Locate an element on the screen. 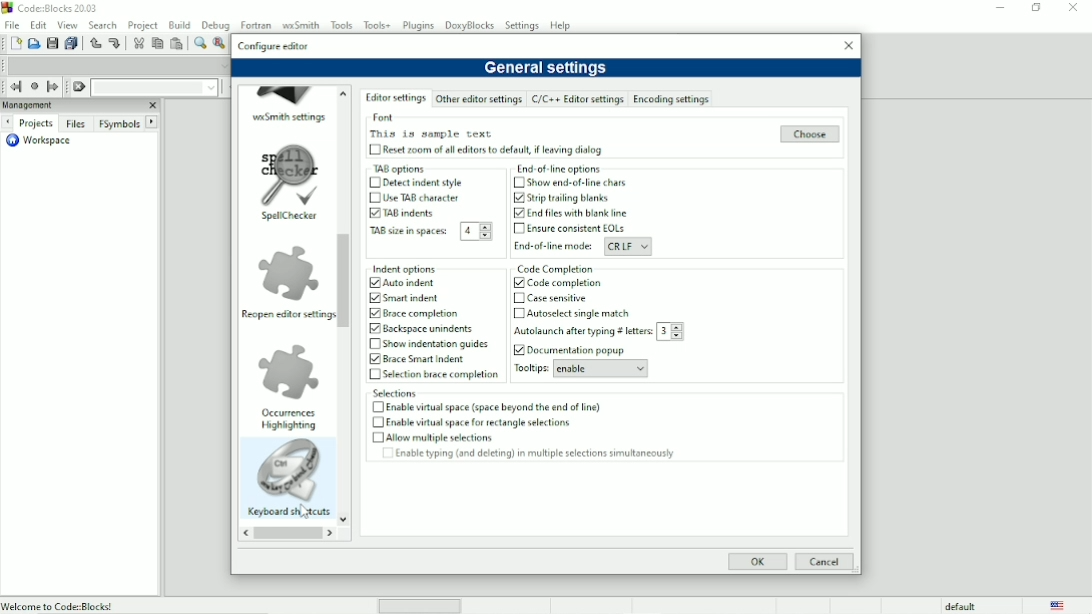 The image size is (1092, 614). Open is located at coordinates (33, 43).